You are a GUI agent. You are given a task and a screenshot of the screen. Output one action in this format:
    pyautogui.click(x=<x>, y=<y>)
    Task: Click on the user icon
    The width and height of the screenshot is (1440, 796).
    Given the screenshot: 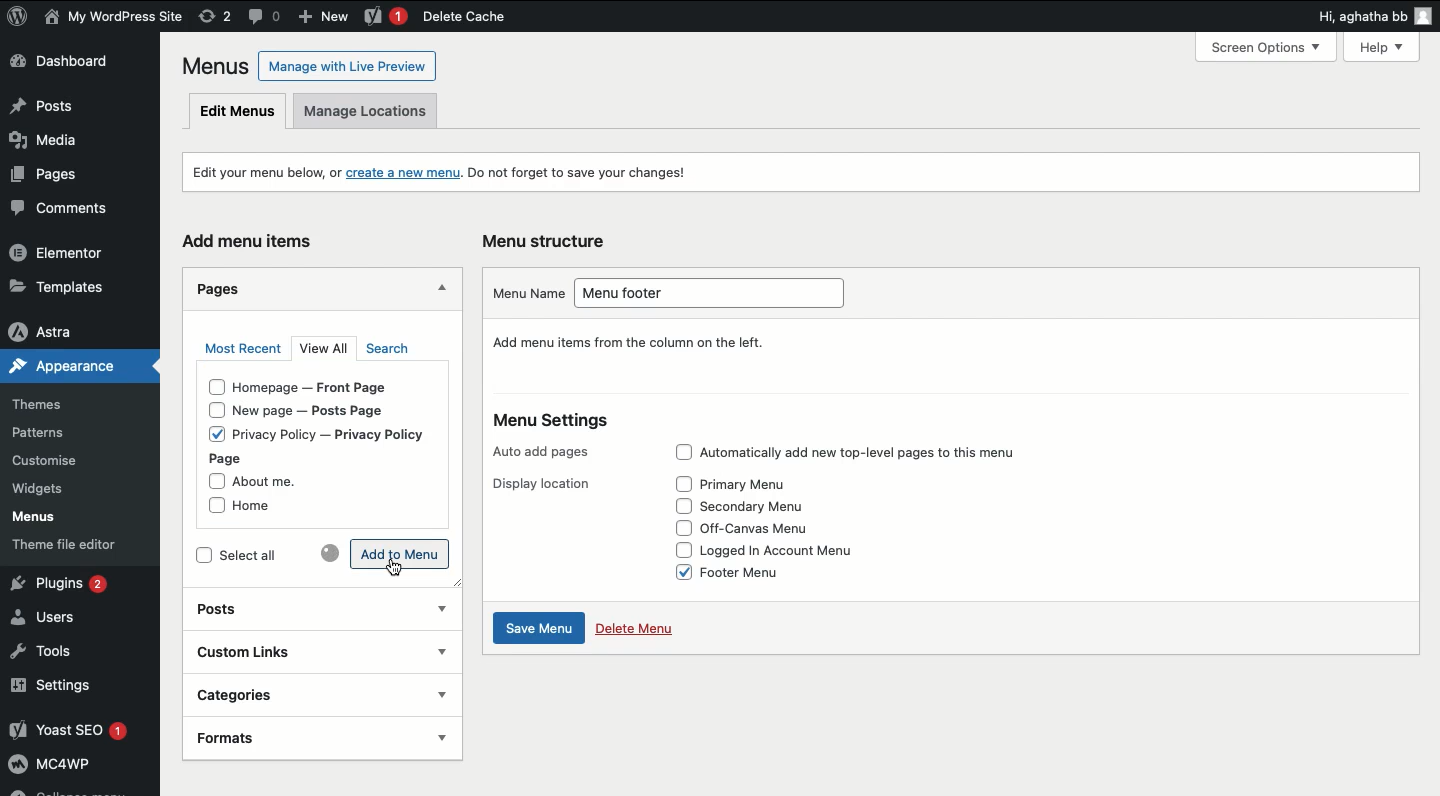 What is the action you would take?
    pyautogui.click(x=1424, y=18)
    